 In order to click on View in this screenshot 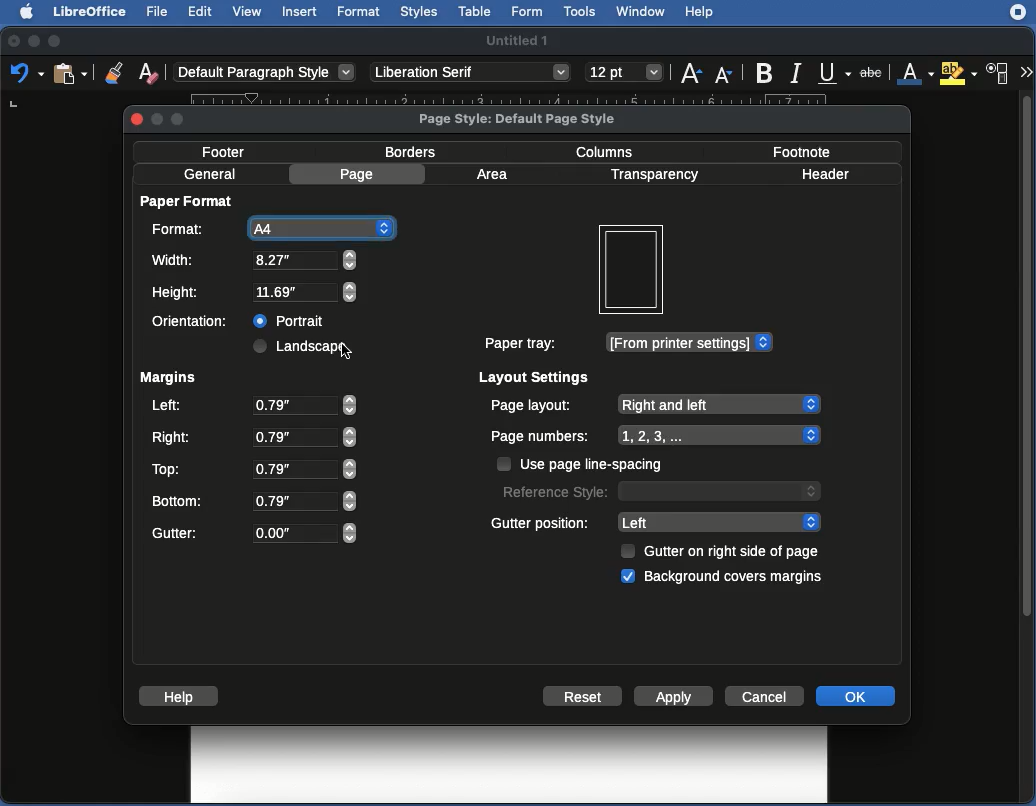, I will do `click(635, 270)`.